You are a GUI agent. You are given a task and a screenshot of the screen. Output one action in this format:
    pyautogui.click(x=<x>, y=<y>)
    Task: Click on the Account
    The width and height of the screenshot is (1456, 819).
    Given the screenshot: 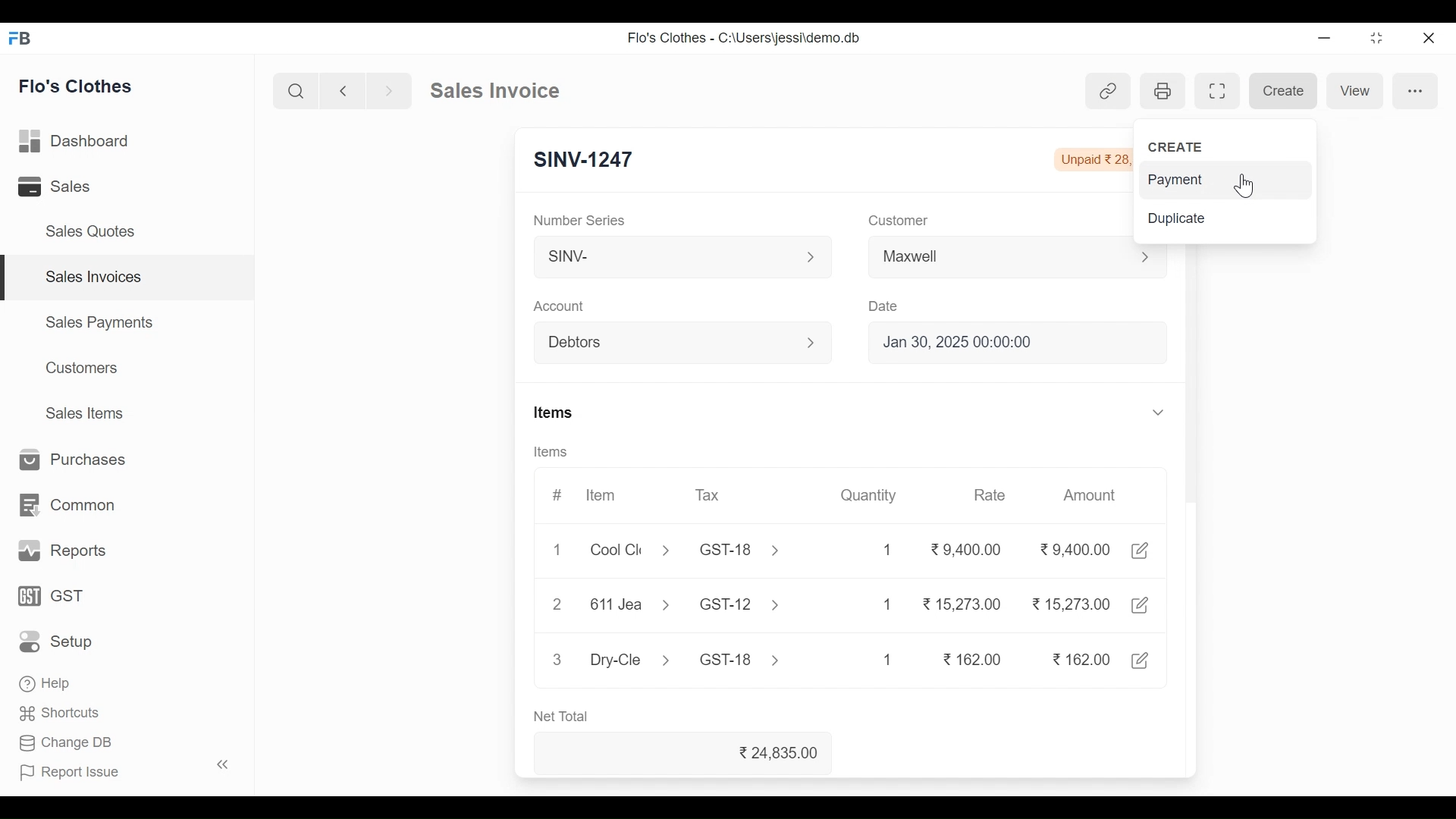 What is the action you would take?
    pyautogui.click(x=561, y=306)
    